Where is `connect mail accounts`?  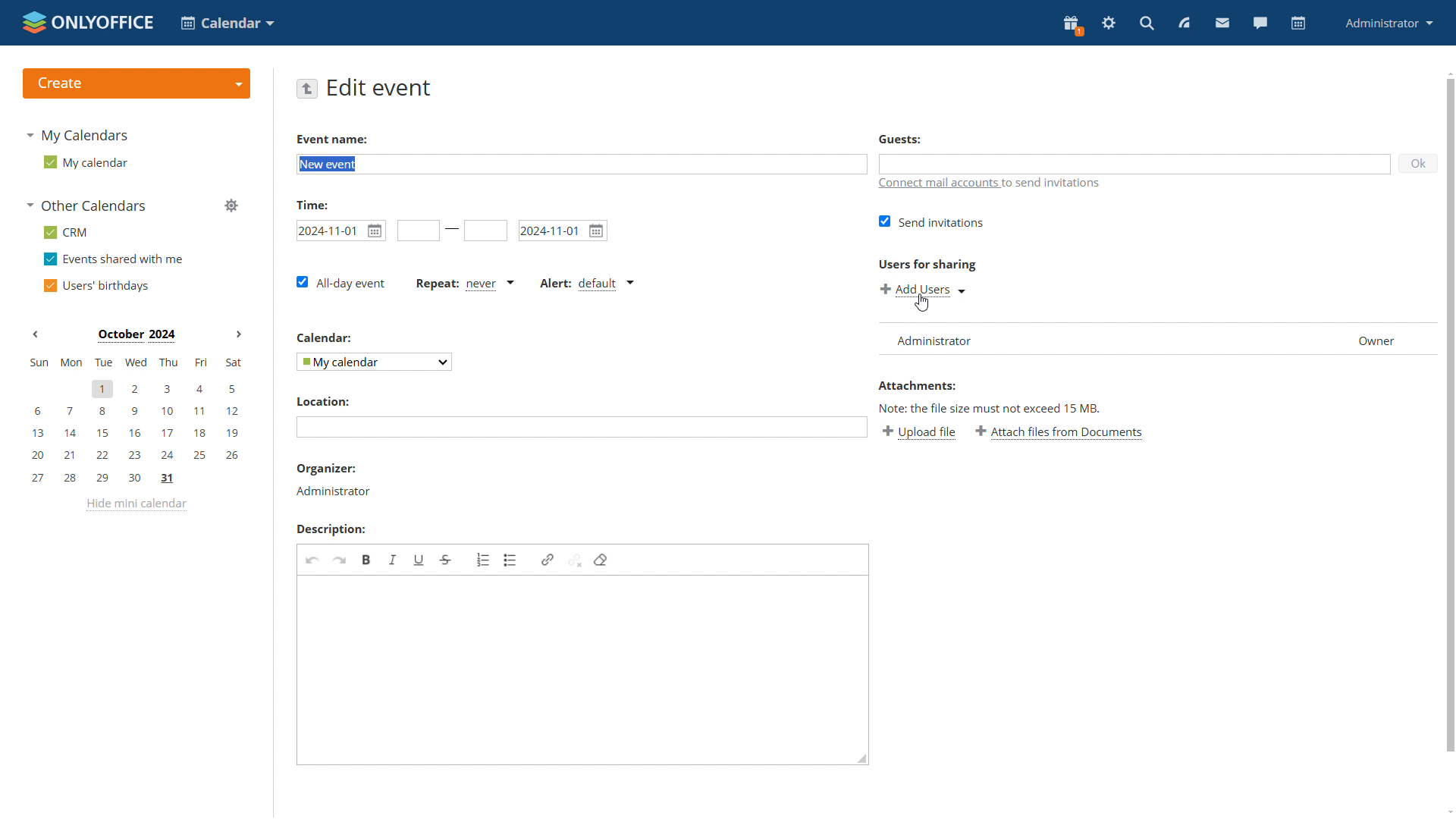 connect mail accounts is located at coordinates (937, 184).